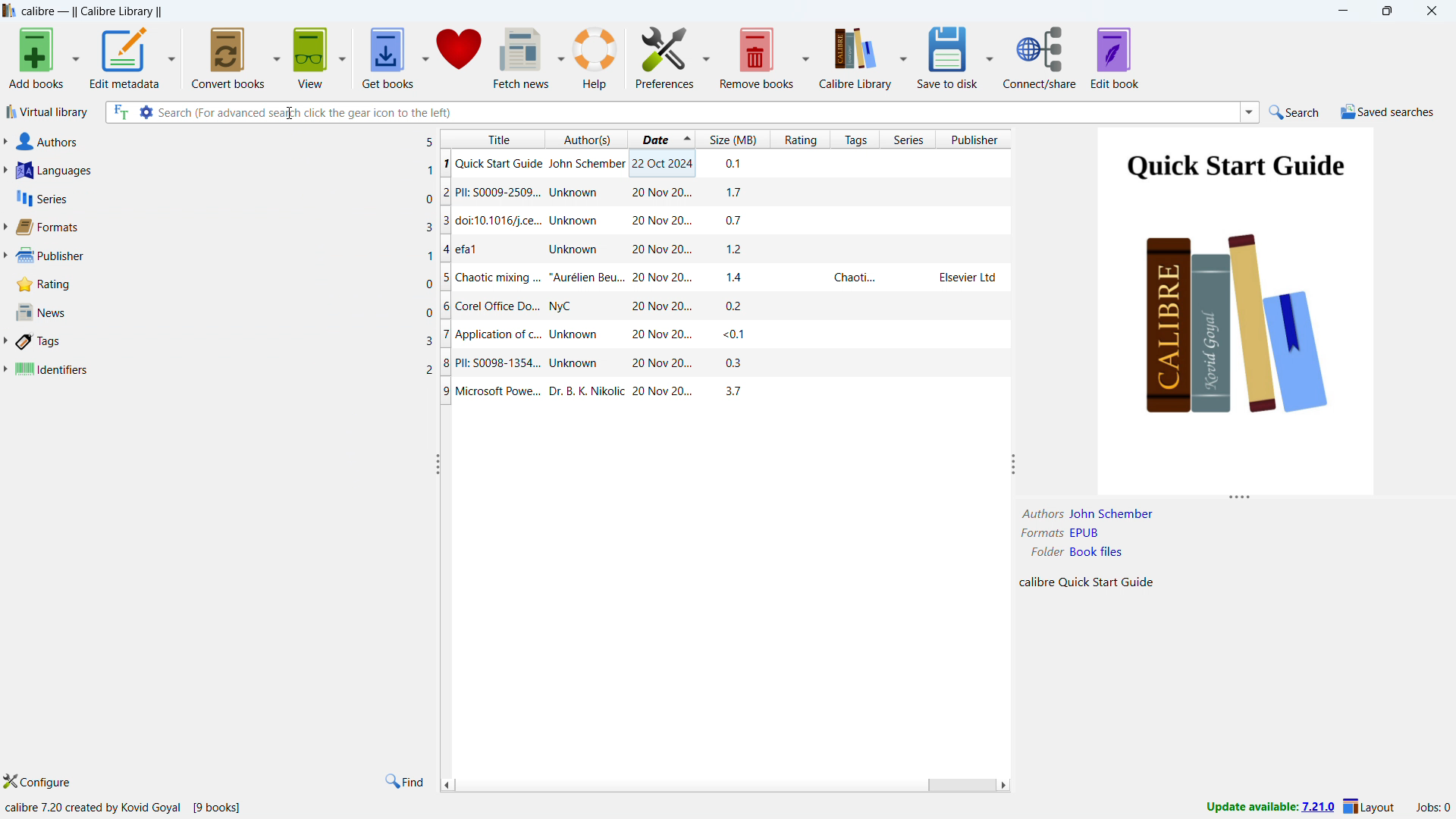  Describe the element at coordinates (47, 113) in the screenshot. I see `virtual library` at that location.